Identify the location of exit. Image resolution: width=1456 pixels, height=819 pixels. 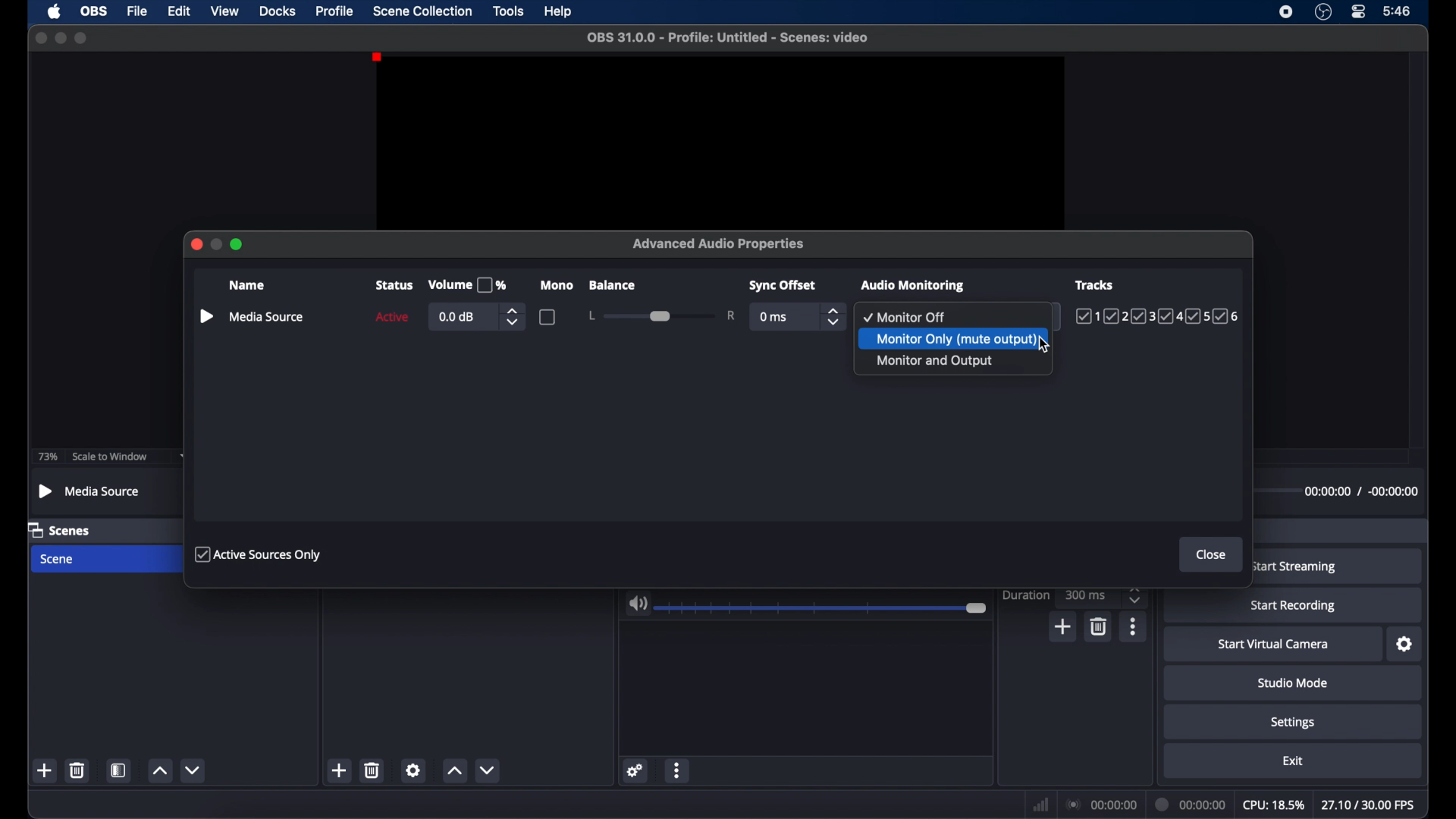
(1293, 761).